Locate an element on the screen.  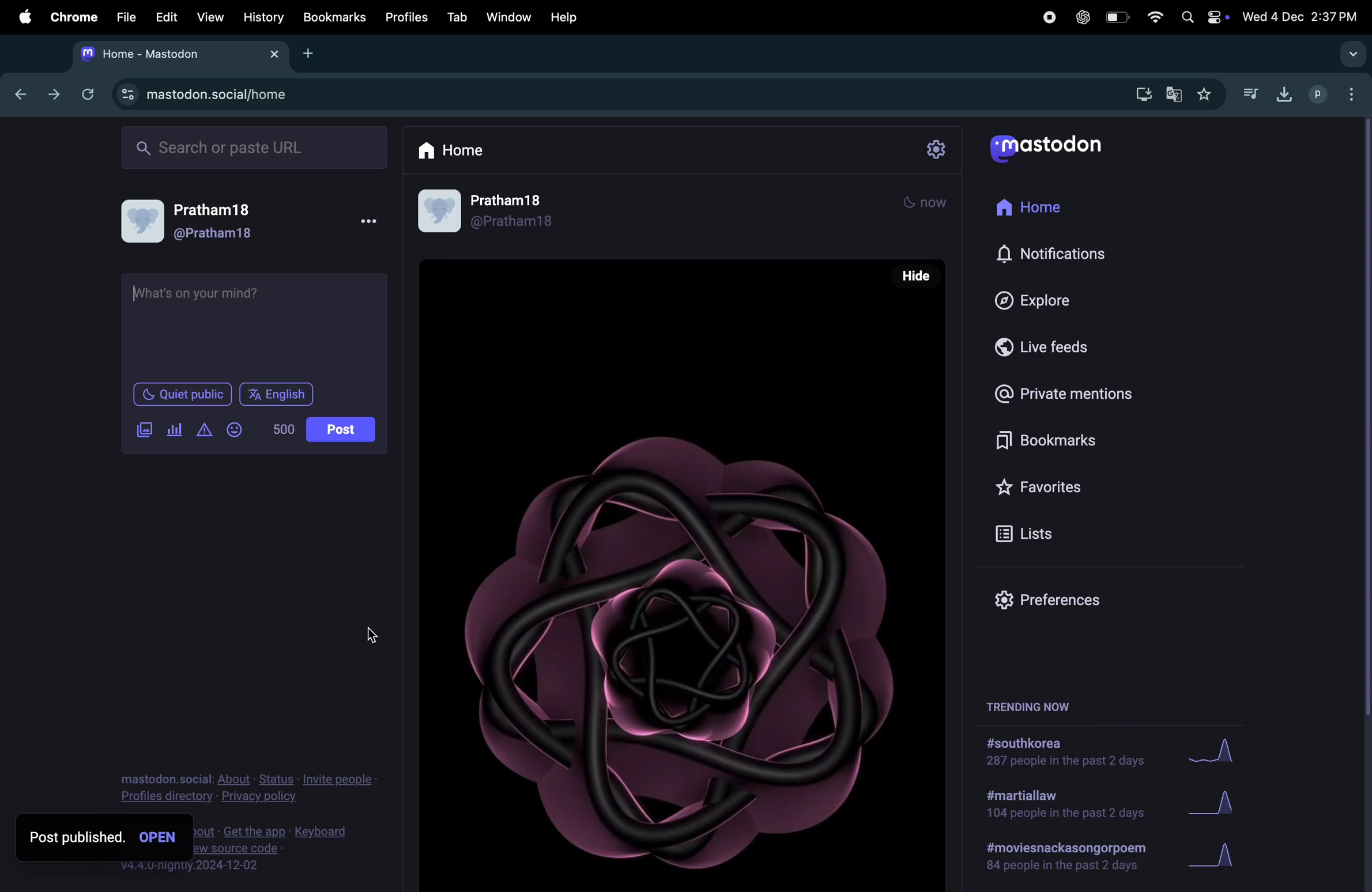
chrome profiles is located at coordinates (1335, 92).